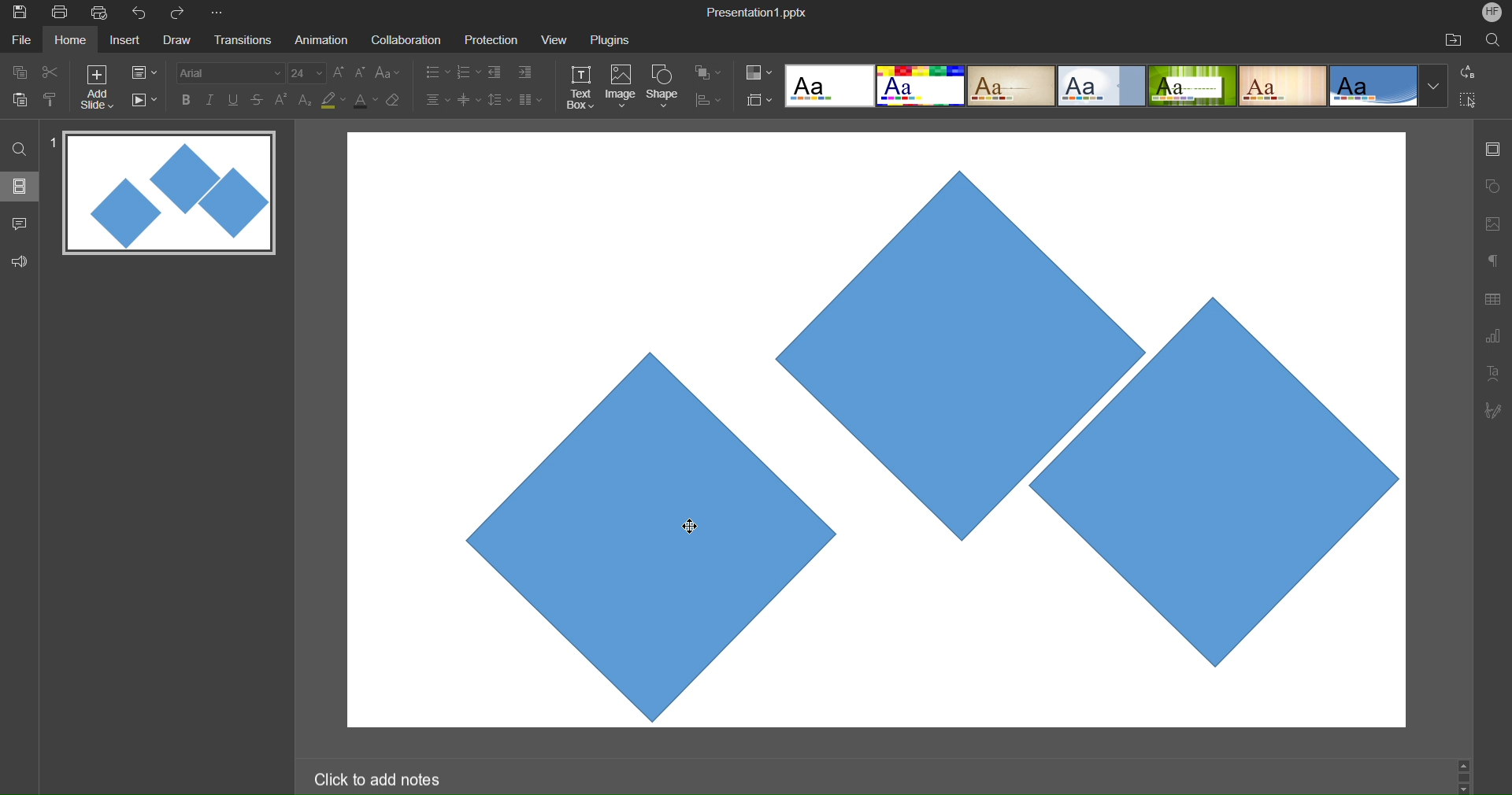 The width and height of the screenshot is (1512, 795). Describe the element at coordinates (183, 13) in the screenshot. I see `Redo` at that location.